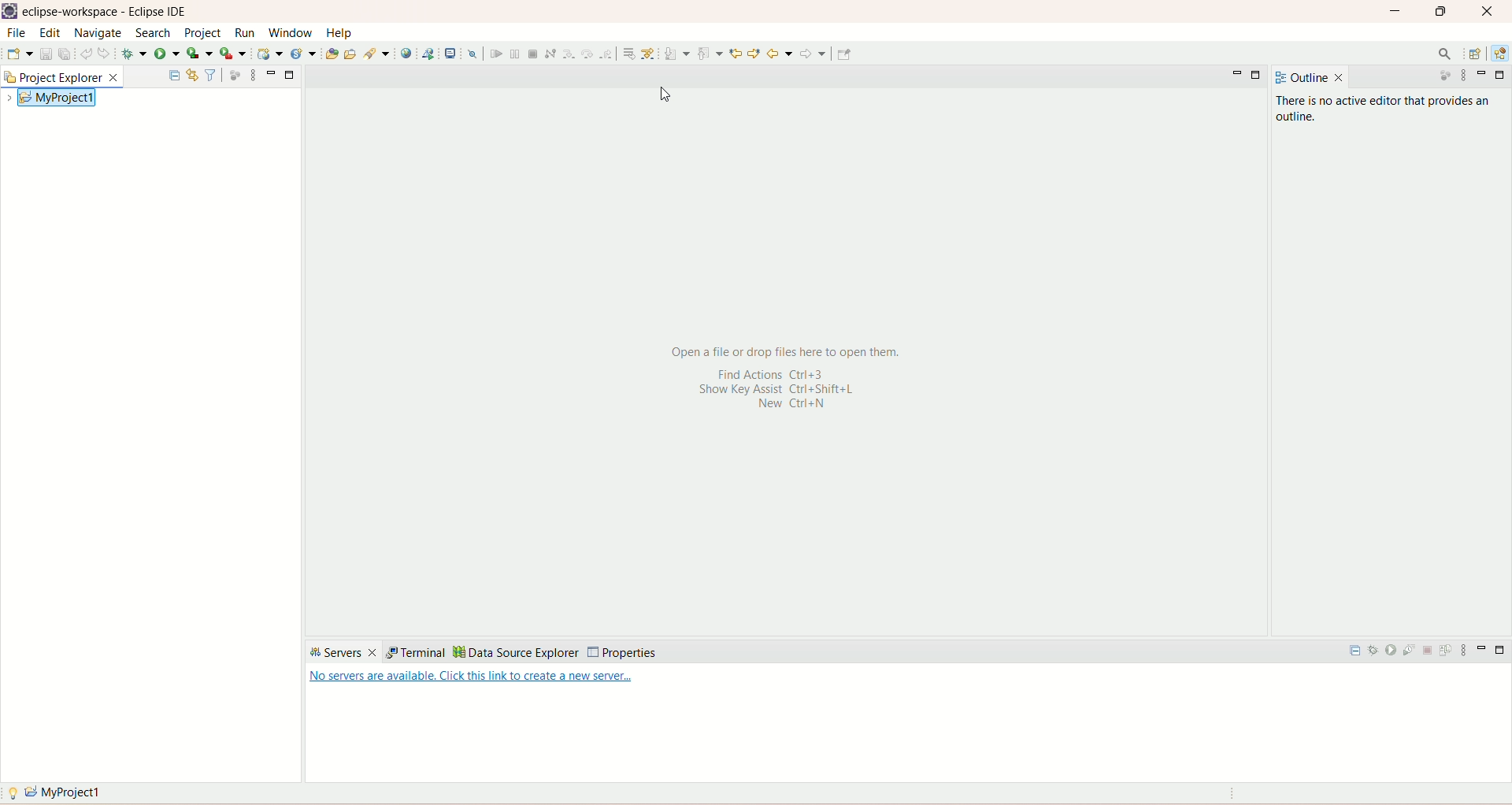  Describe the element at coordinates (1374, 652) in the screenshot. I see `start the server in debug mode` at that location.